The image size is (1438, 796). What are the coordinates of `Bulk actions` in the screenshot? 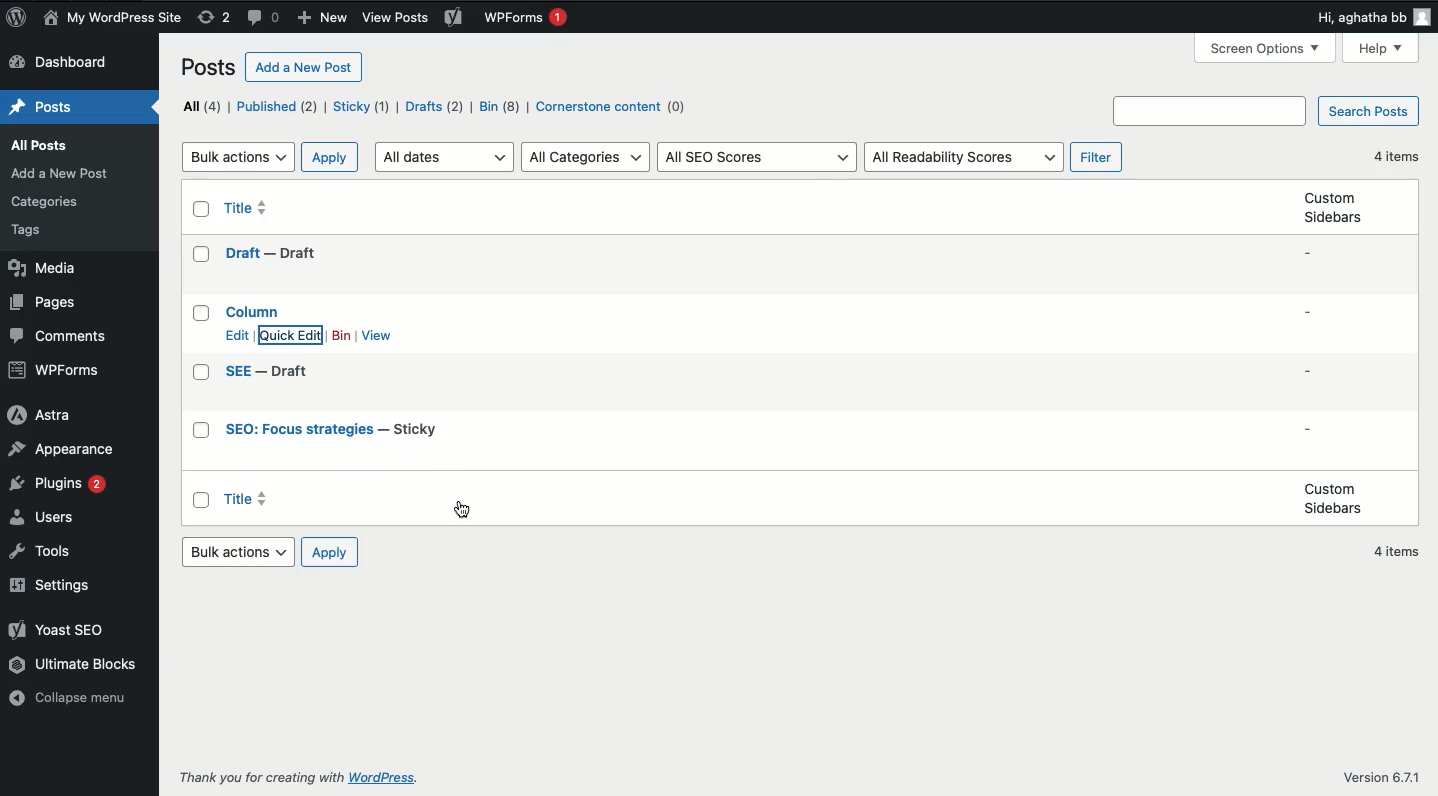 It's located at (240, 551).